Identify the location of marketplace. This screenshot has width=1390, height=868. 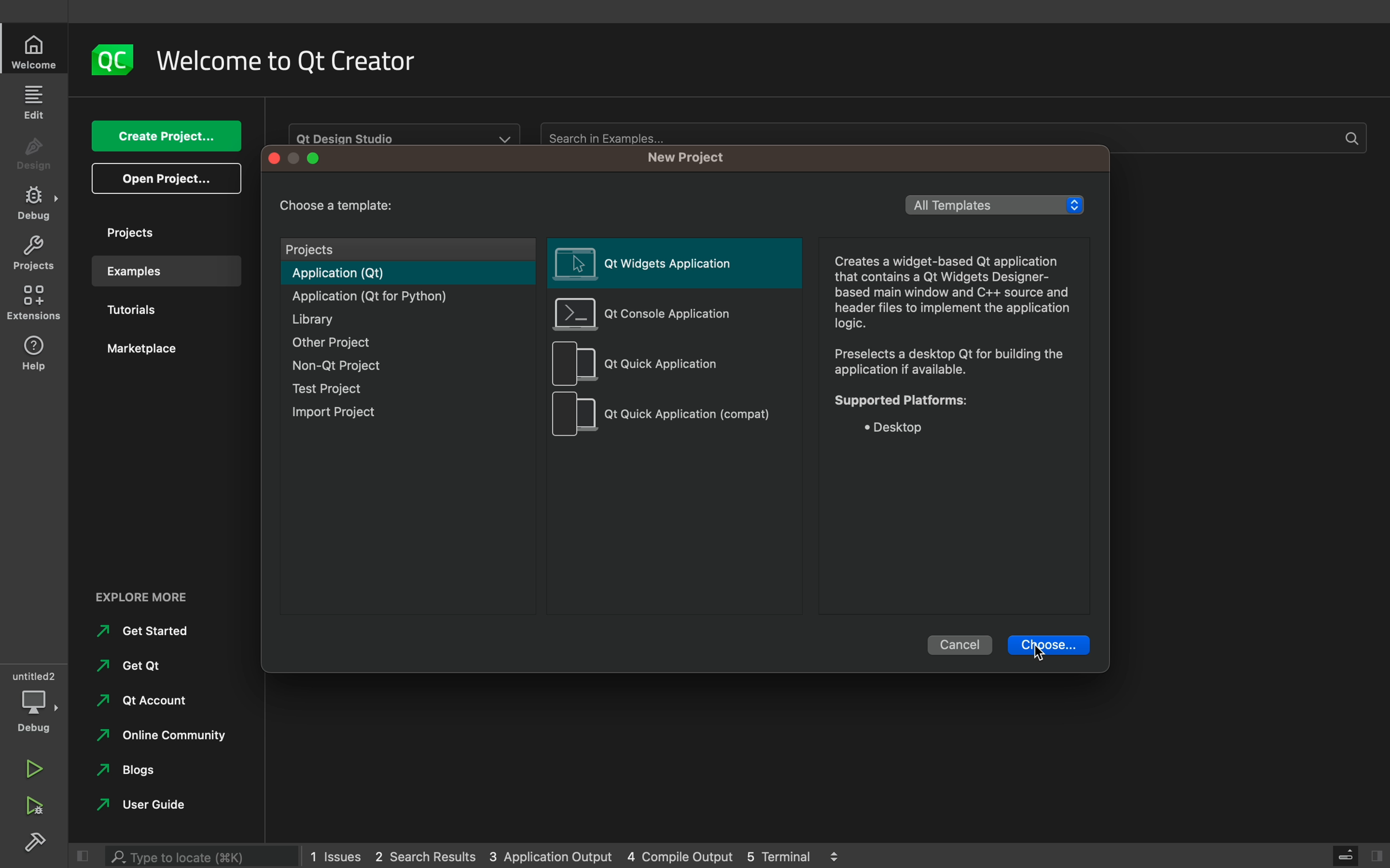
(159, 354).